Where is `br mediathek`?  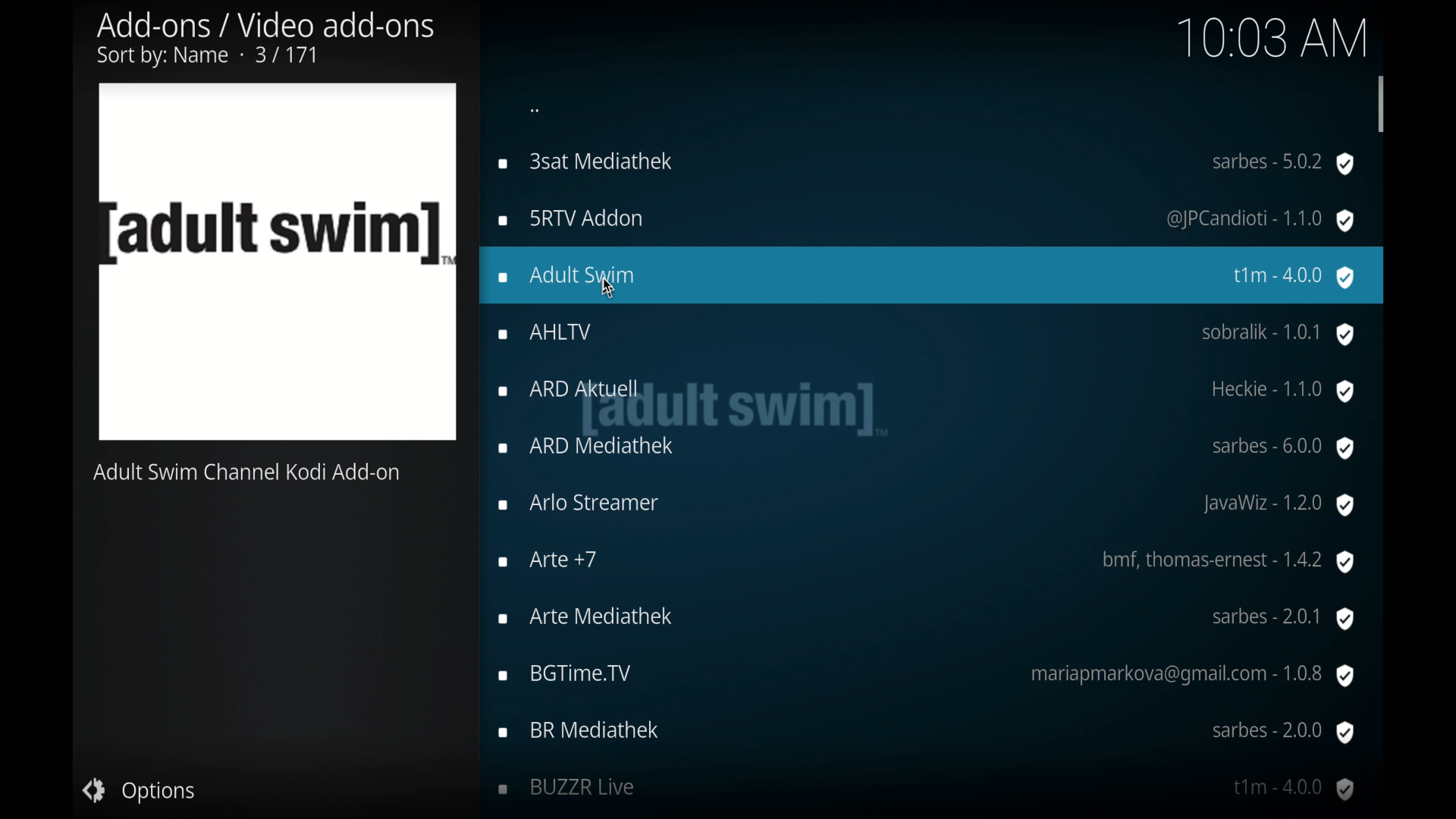 br mediathek is located at coordinates (928, 733).